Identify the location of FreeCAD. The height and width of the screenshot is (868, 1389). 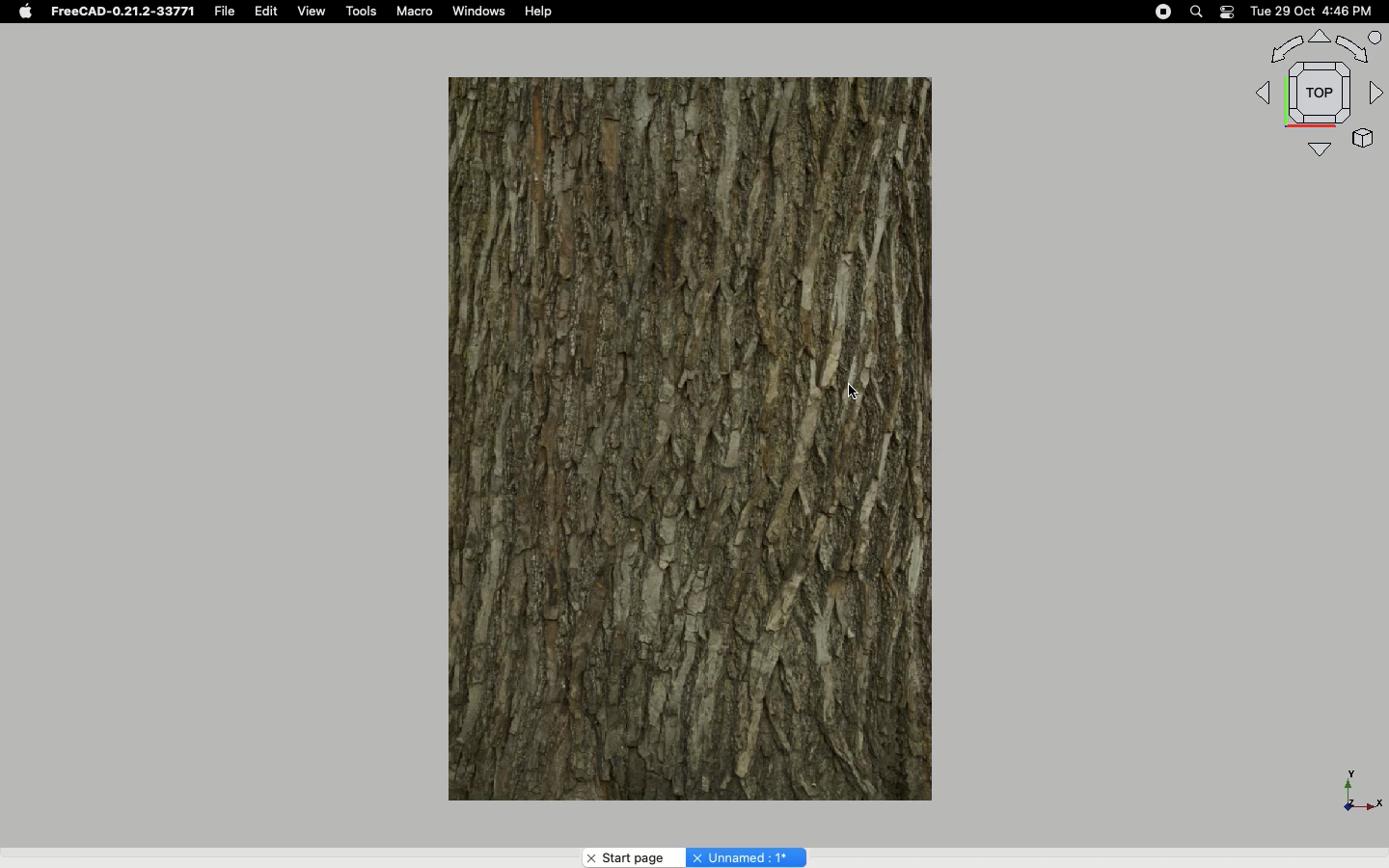
(121, 12).